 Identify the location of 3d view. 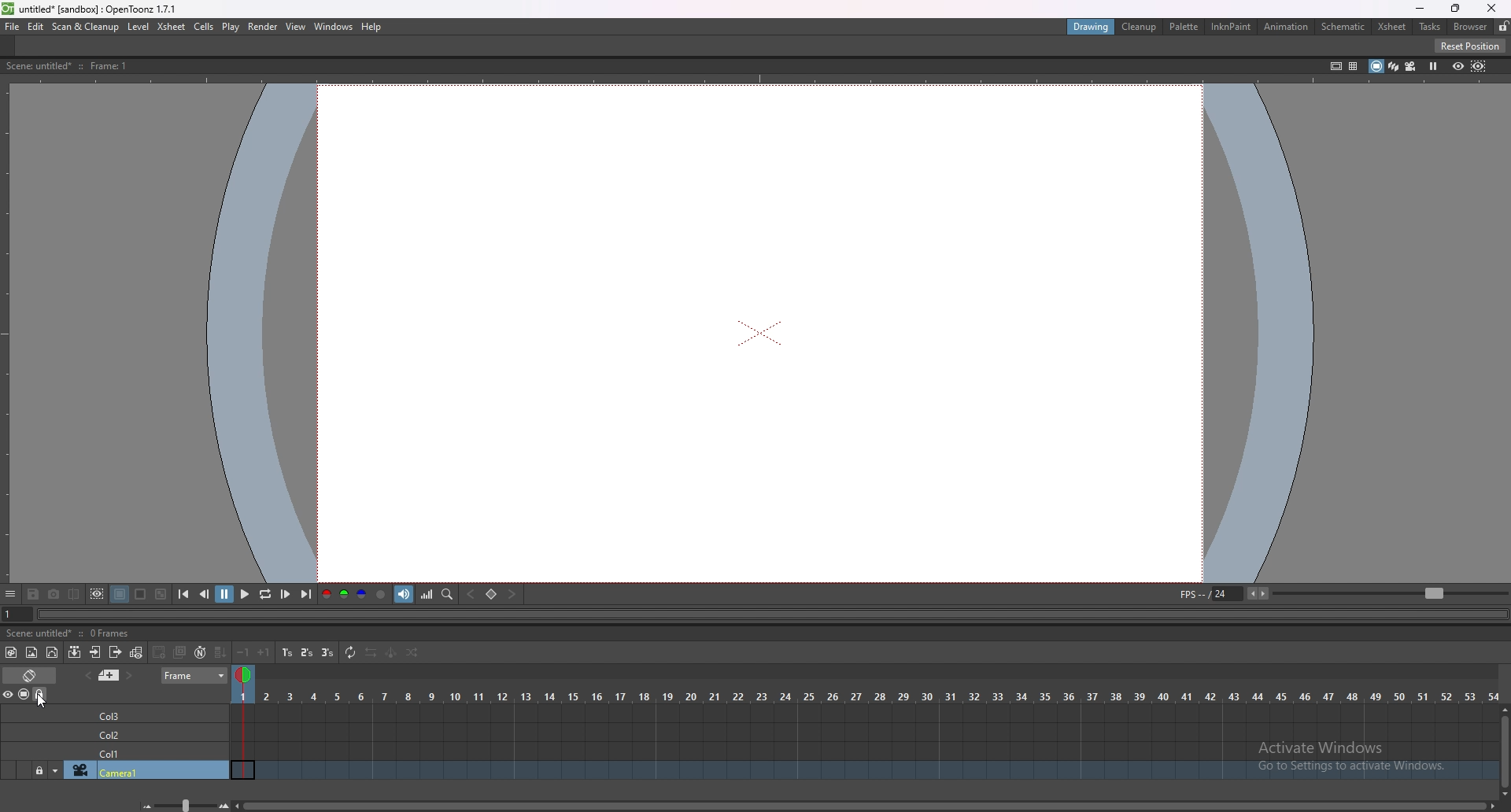
(1391, 65).